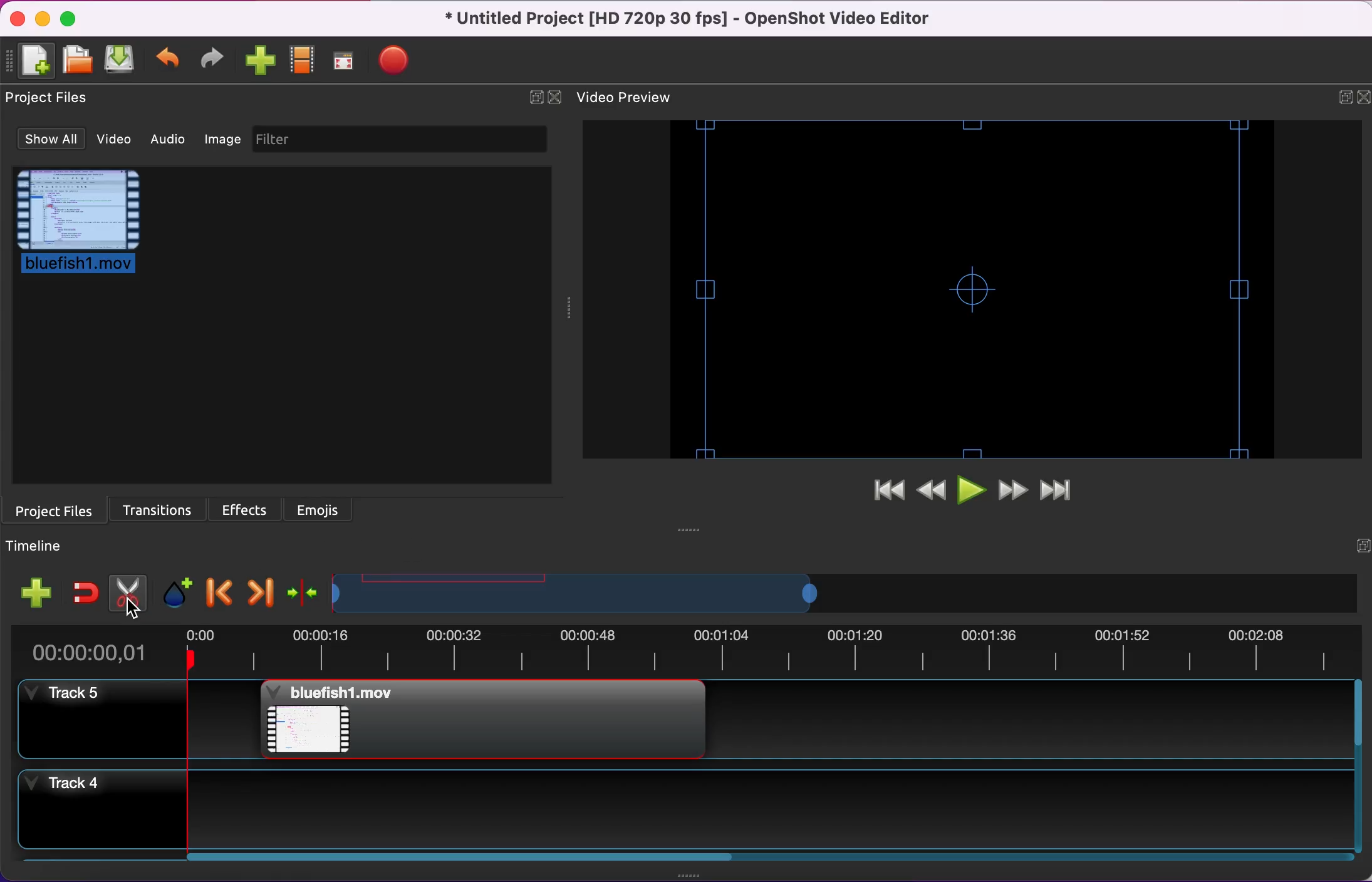  I want to click on fast forward, so click(1012, 491).